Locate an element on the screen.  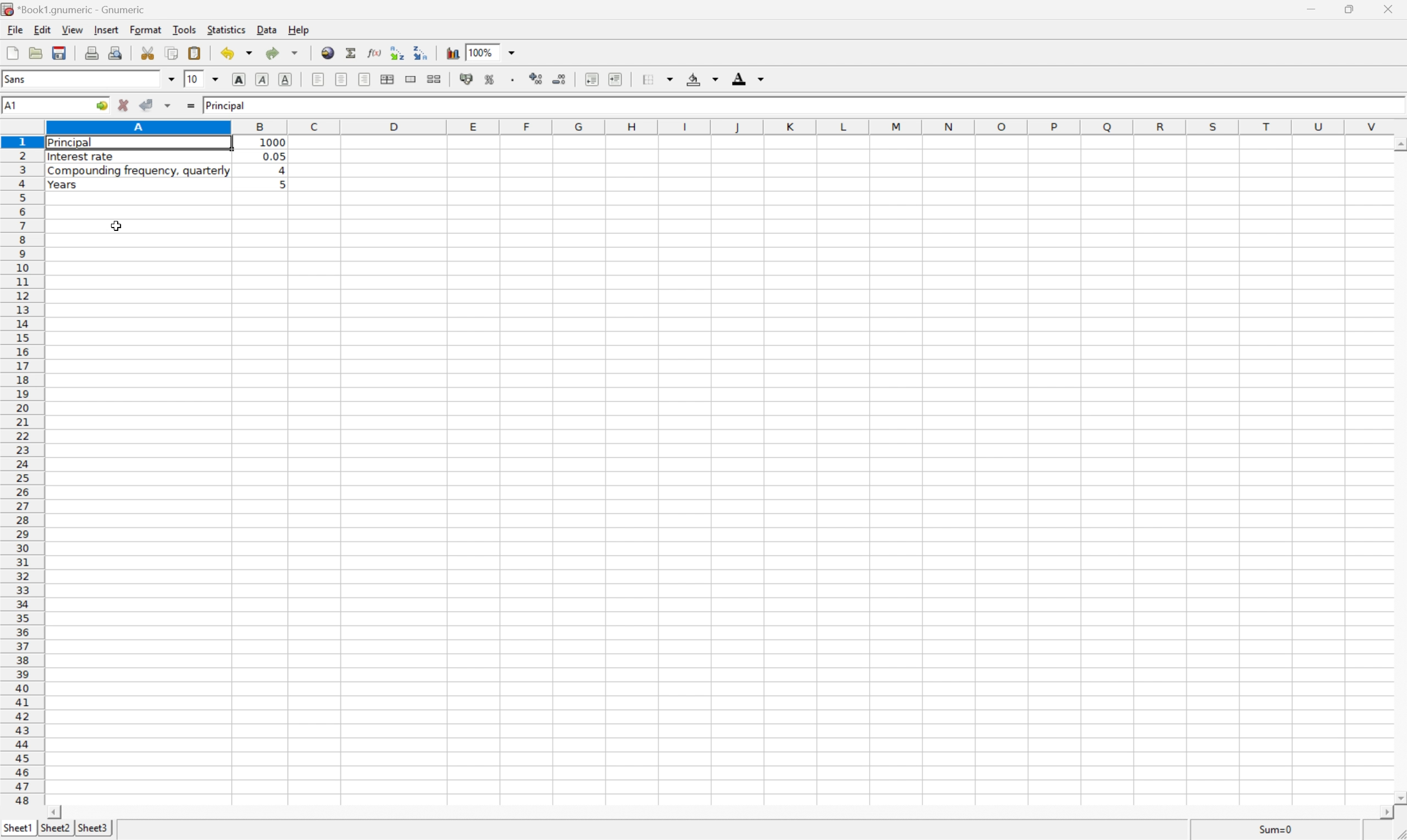
years is located at coordinates (62, 186).